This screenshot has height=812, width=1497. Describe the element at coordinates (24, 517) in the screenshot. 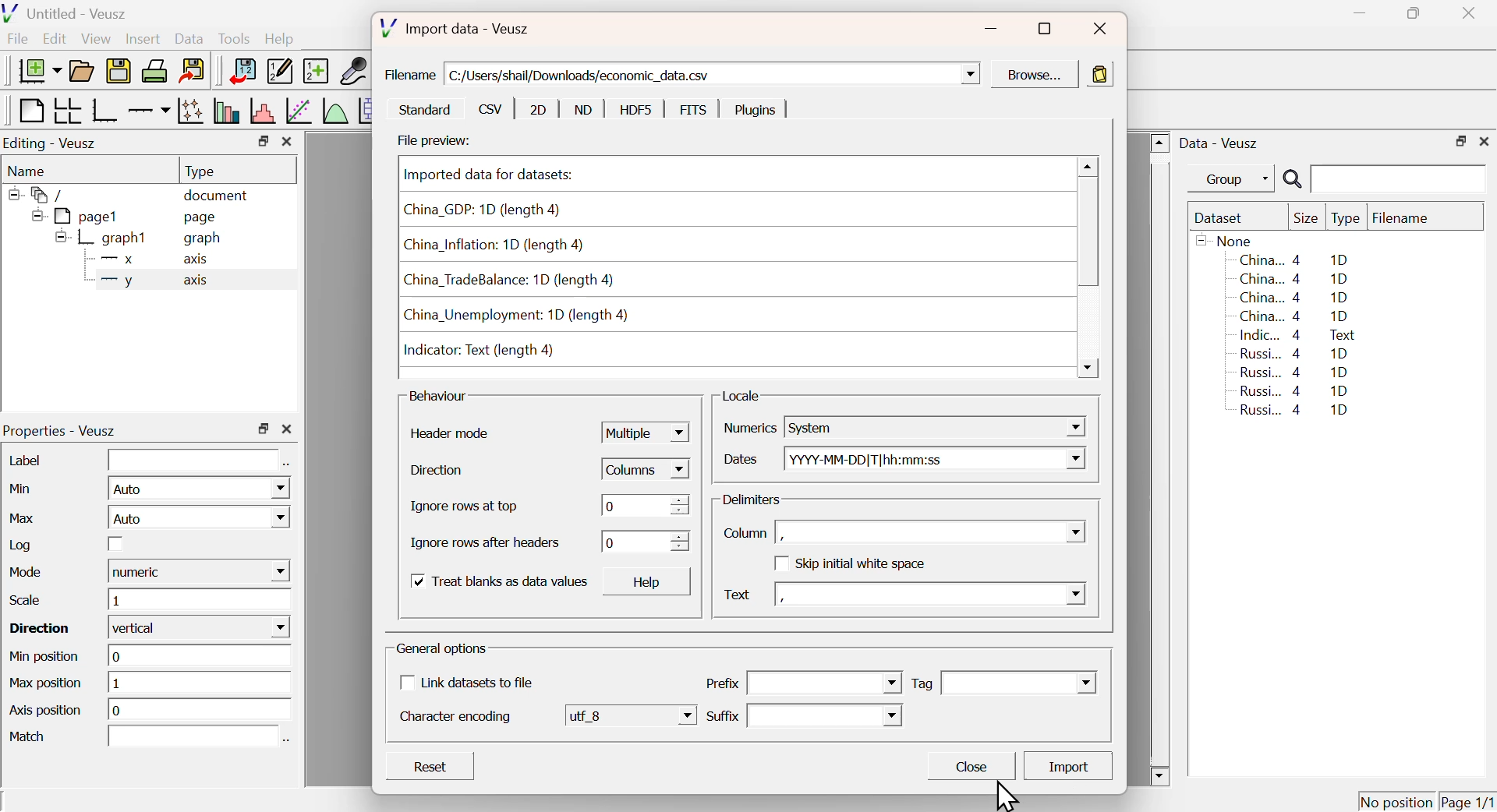

I see `Max` at that location.